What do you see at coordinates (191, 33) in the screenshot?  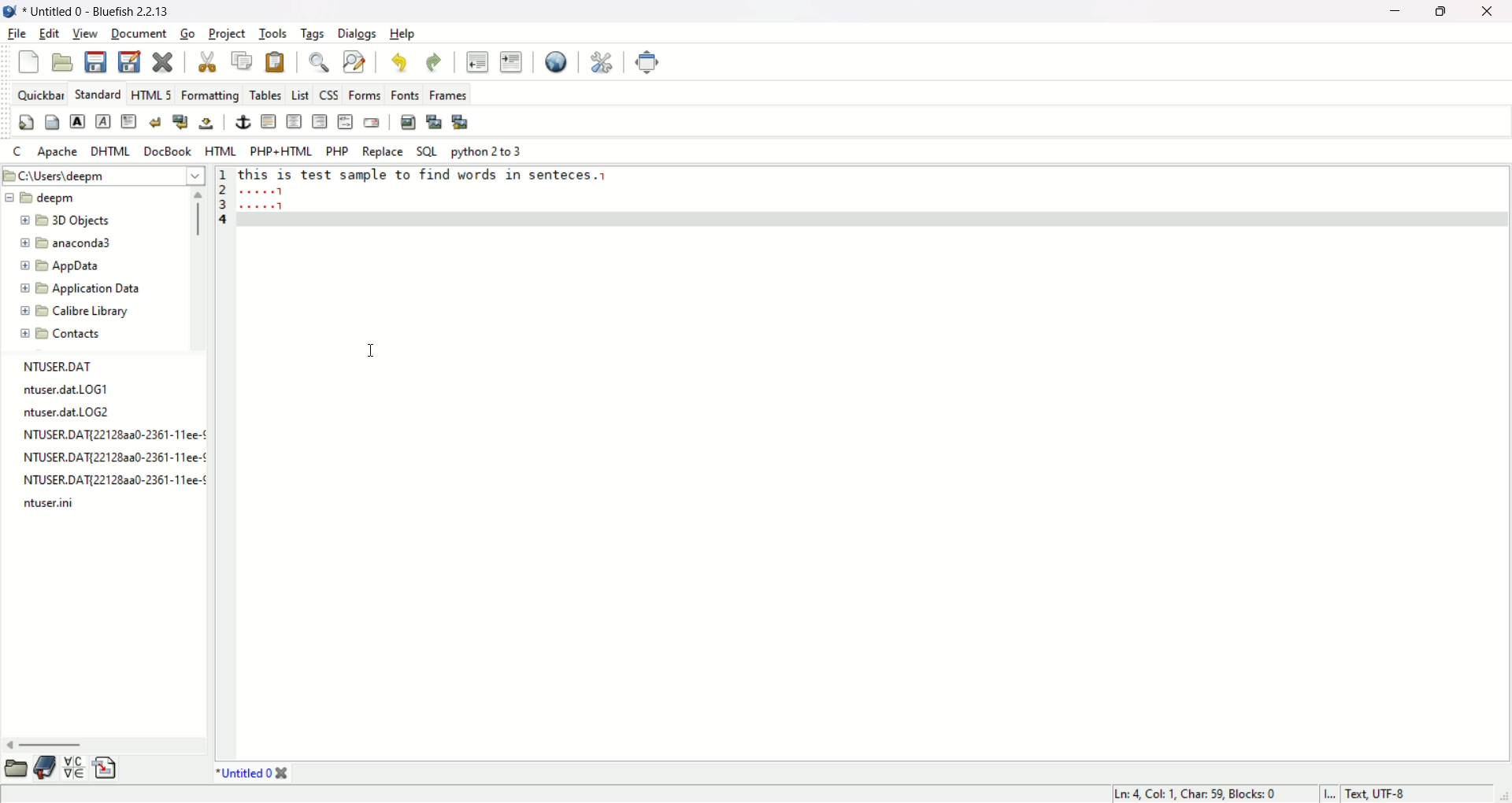 I see `go` at bounding box center [191, 33].